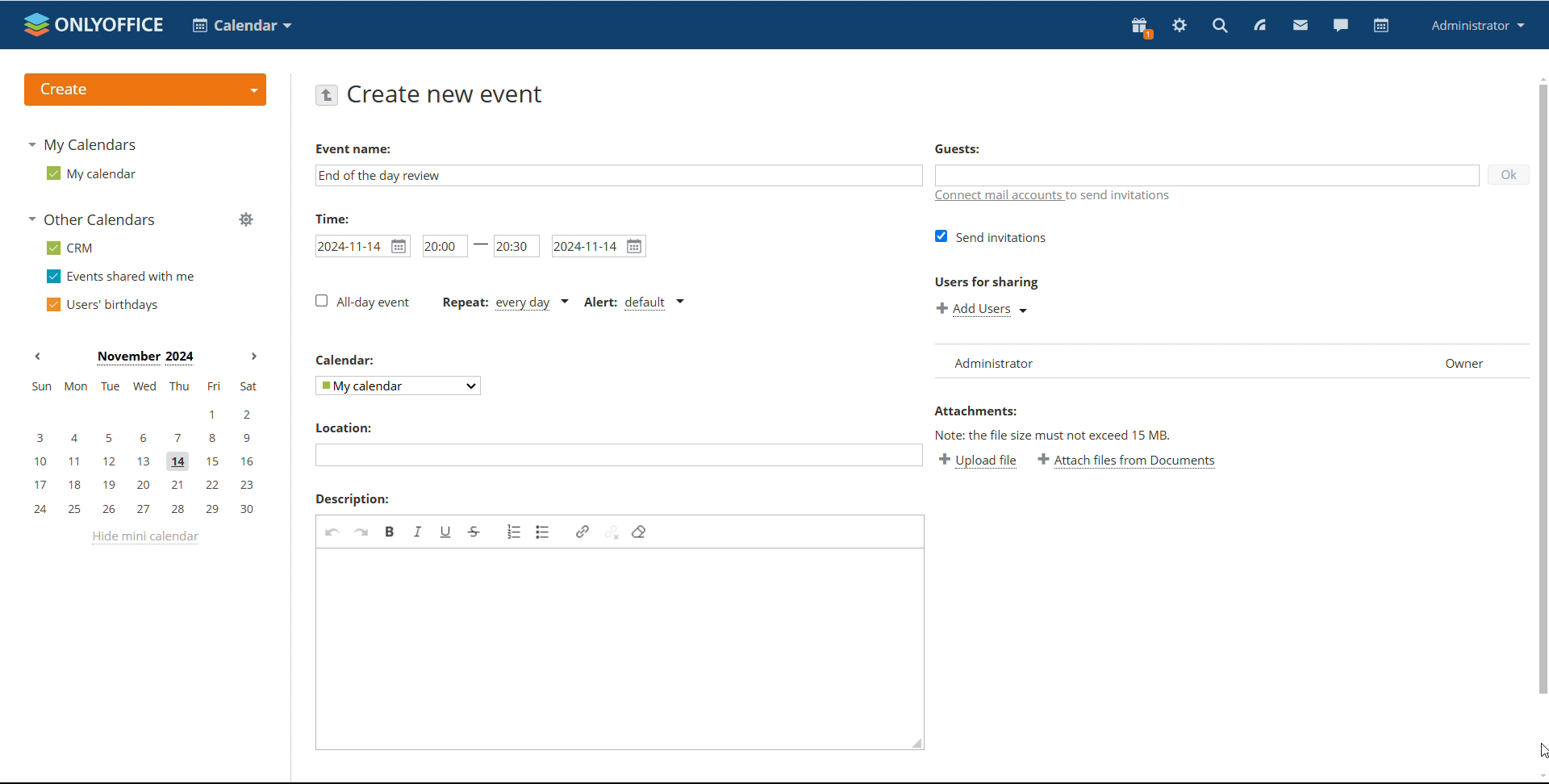 This screenshot has width=1549, height=784. Describe the element at coordinates (515, 532) in the screenshot. I see `insert/remove numbered list` at that location.